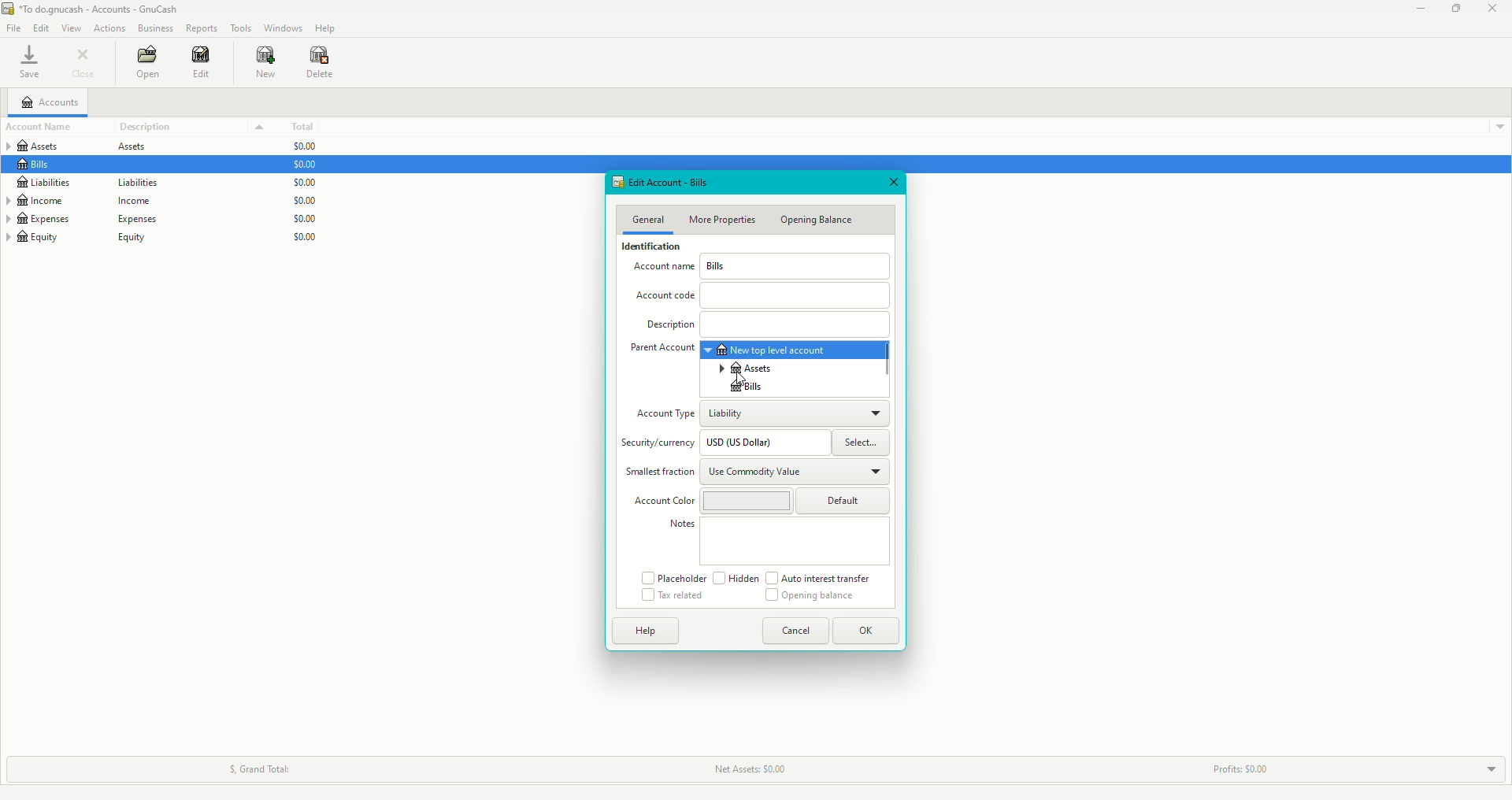 Image resolution: width=1512 pixels, height=800 pixels. Describe the element at coordinates (661, 443) in the screenshot. I see `Security/currency` at that location.